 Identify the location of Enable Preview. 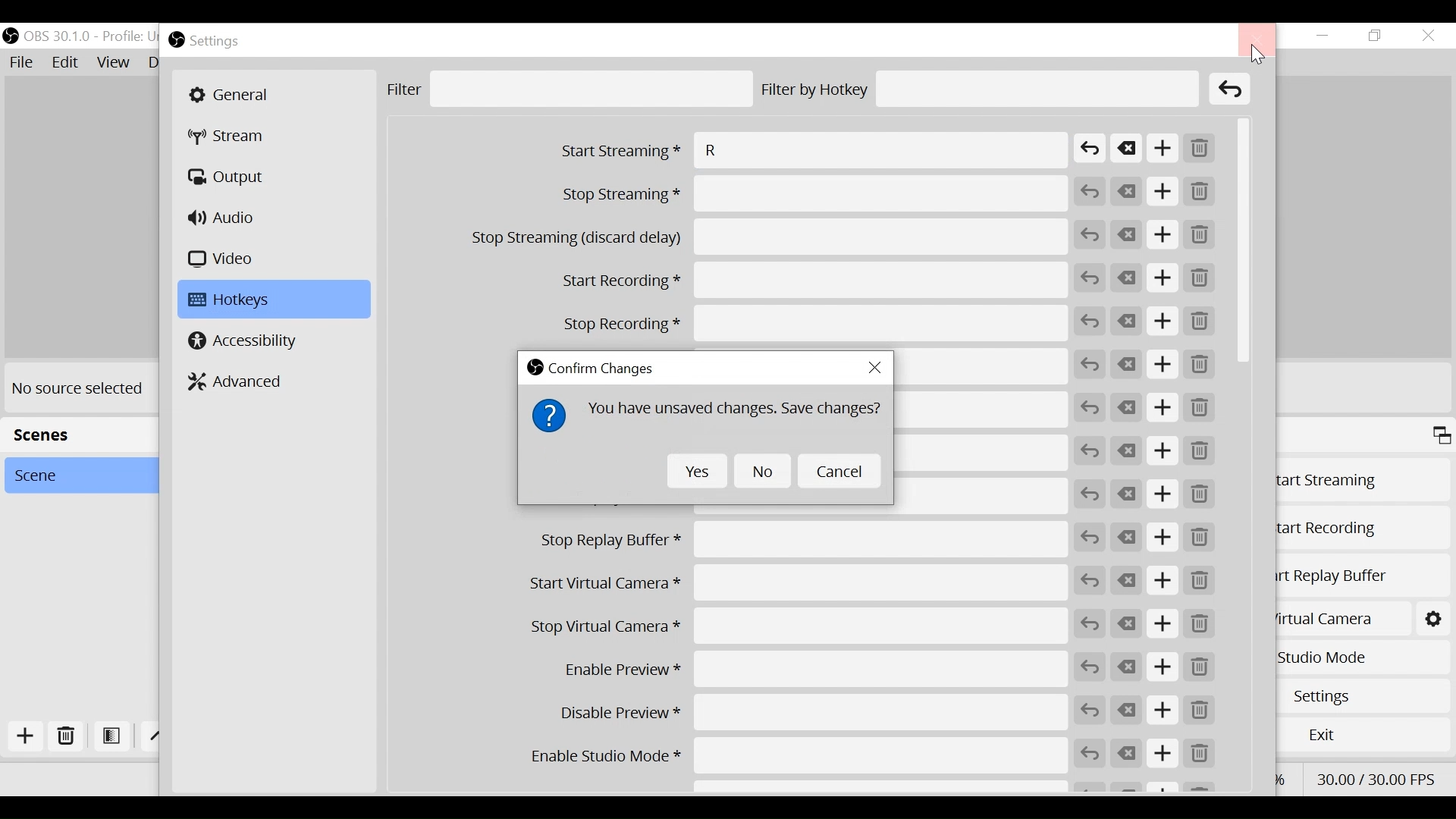
(798, 669).